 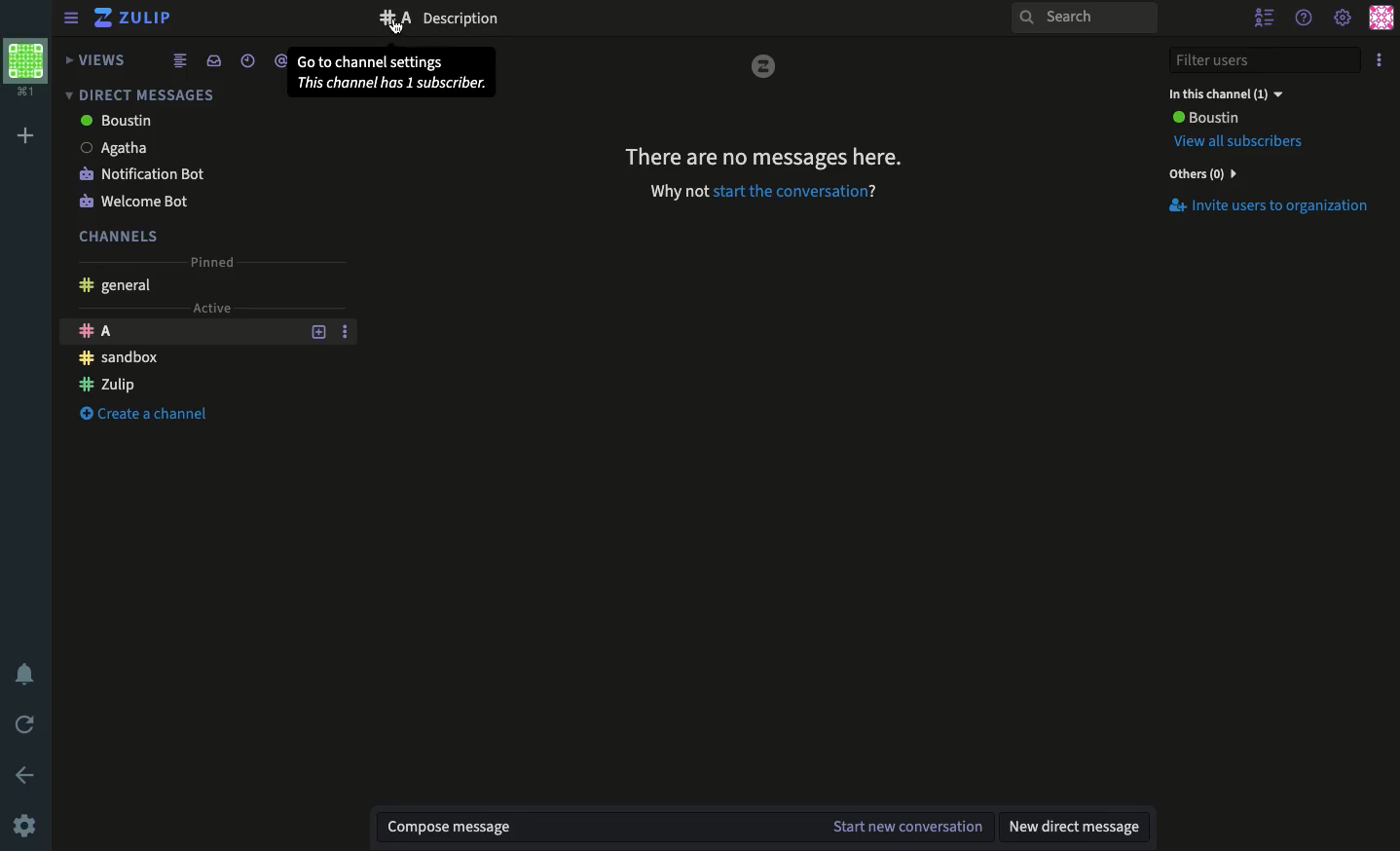 I want to click on Time, so click(x=245, y=60).